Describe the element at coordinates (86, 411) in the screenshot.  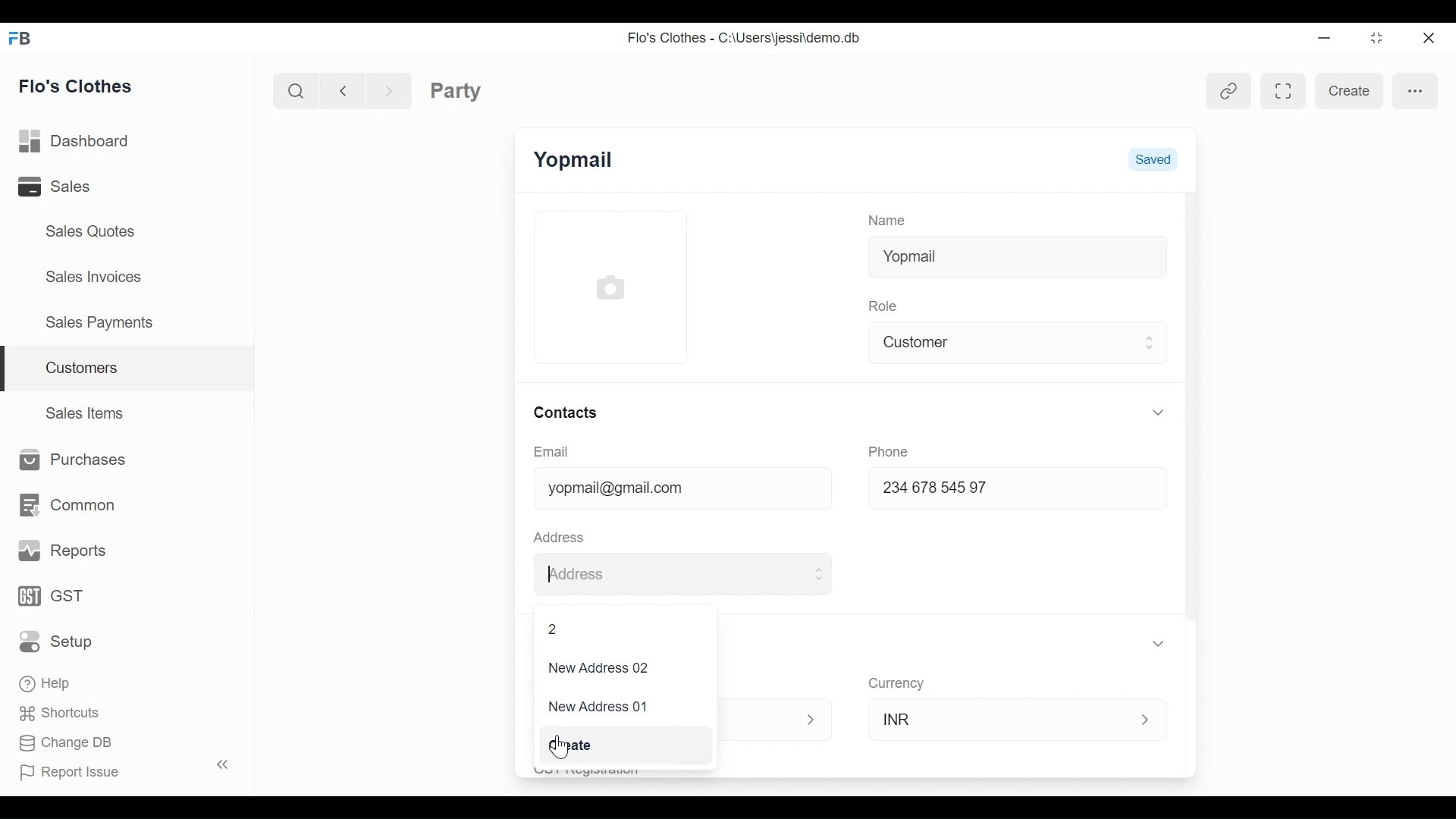
I see `Sales Items` at that location.